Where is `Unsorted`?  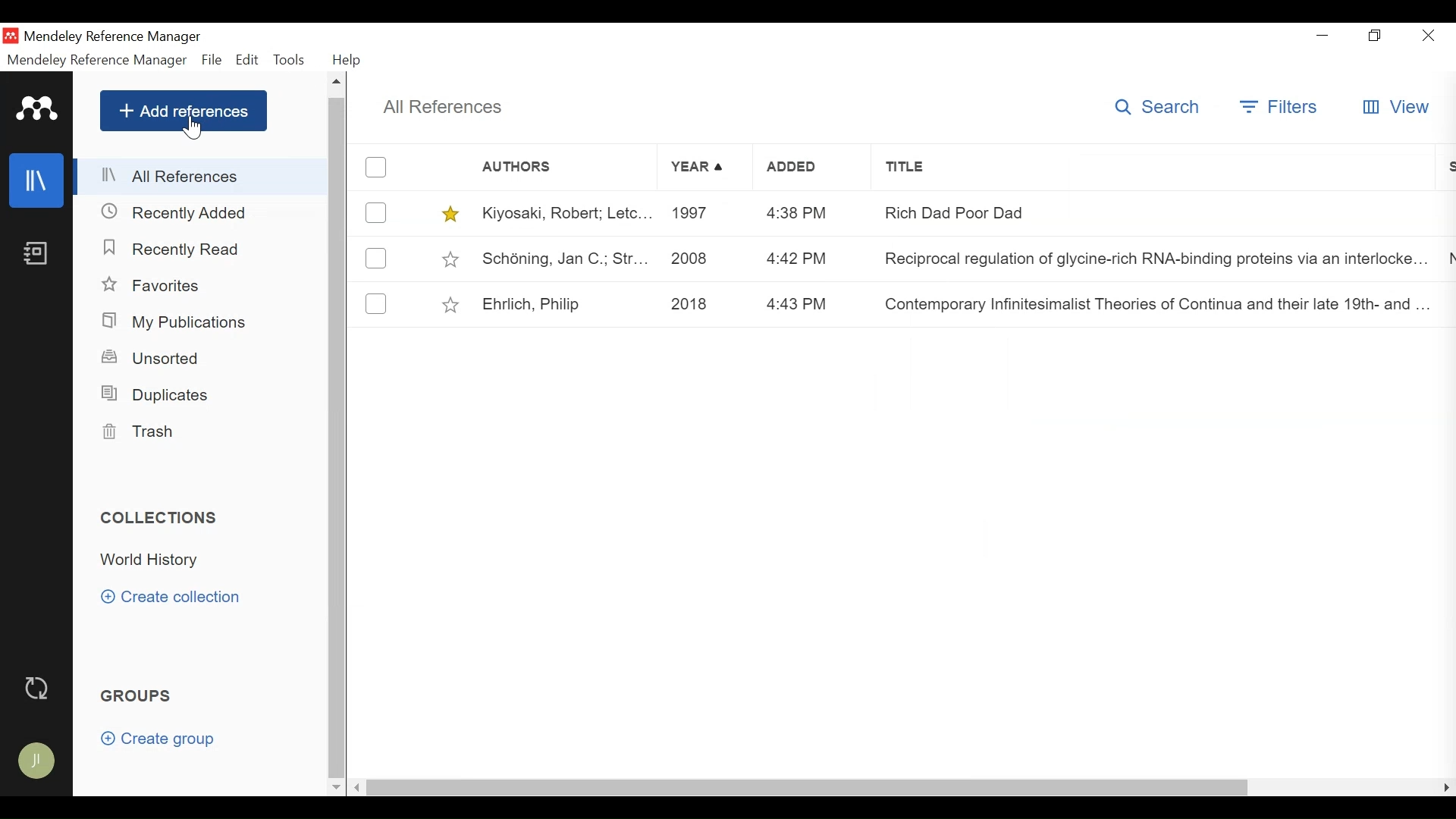 Unsorted is located at coordinates (152, 357).